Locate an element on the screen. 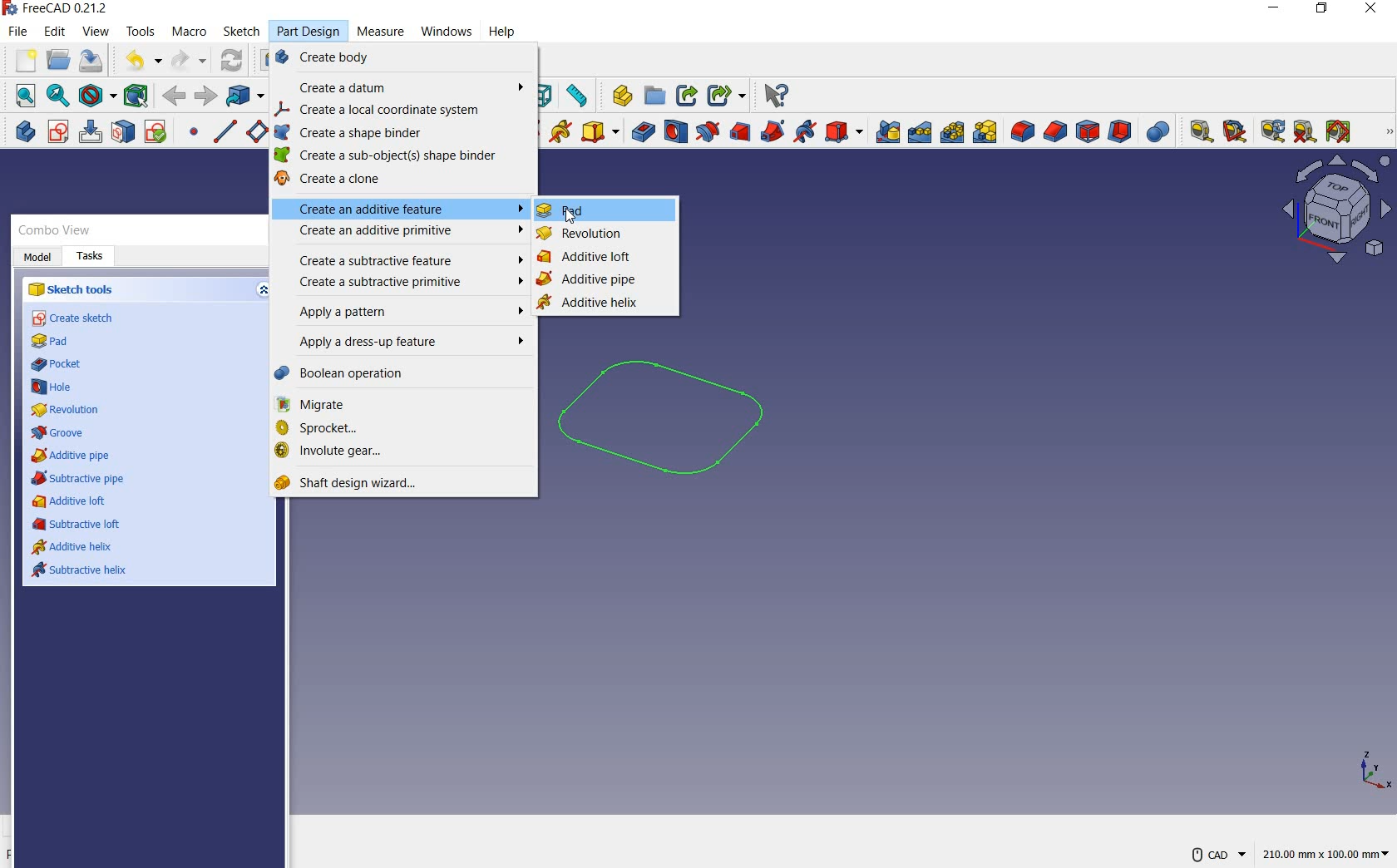 The height and width of the screenshot is (868, 1397). shaft design wizard is located at coordinates (358, 482).